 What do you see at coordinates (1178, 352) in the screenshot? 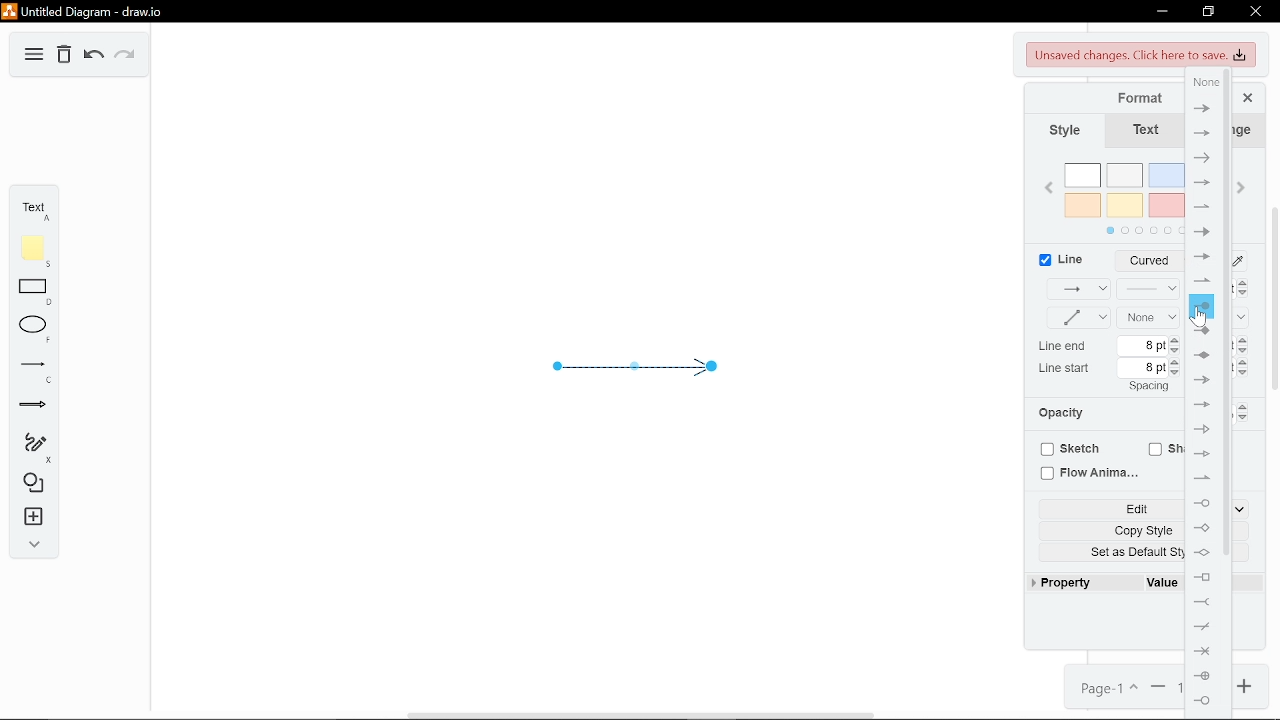
I see `Decrease line end spacing` at bounding box center [1178, 352].